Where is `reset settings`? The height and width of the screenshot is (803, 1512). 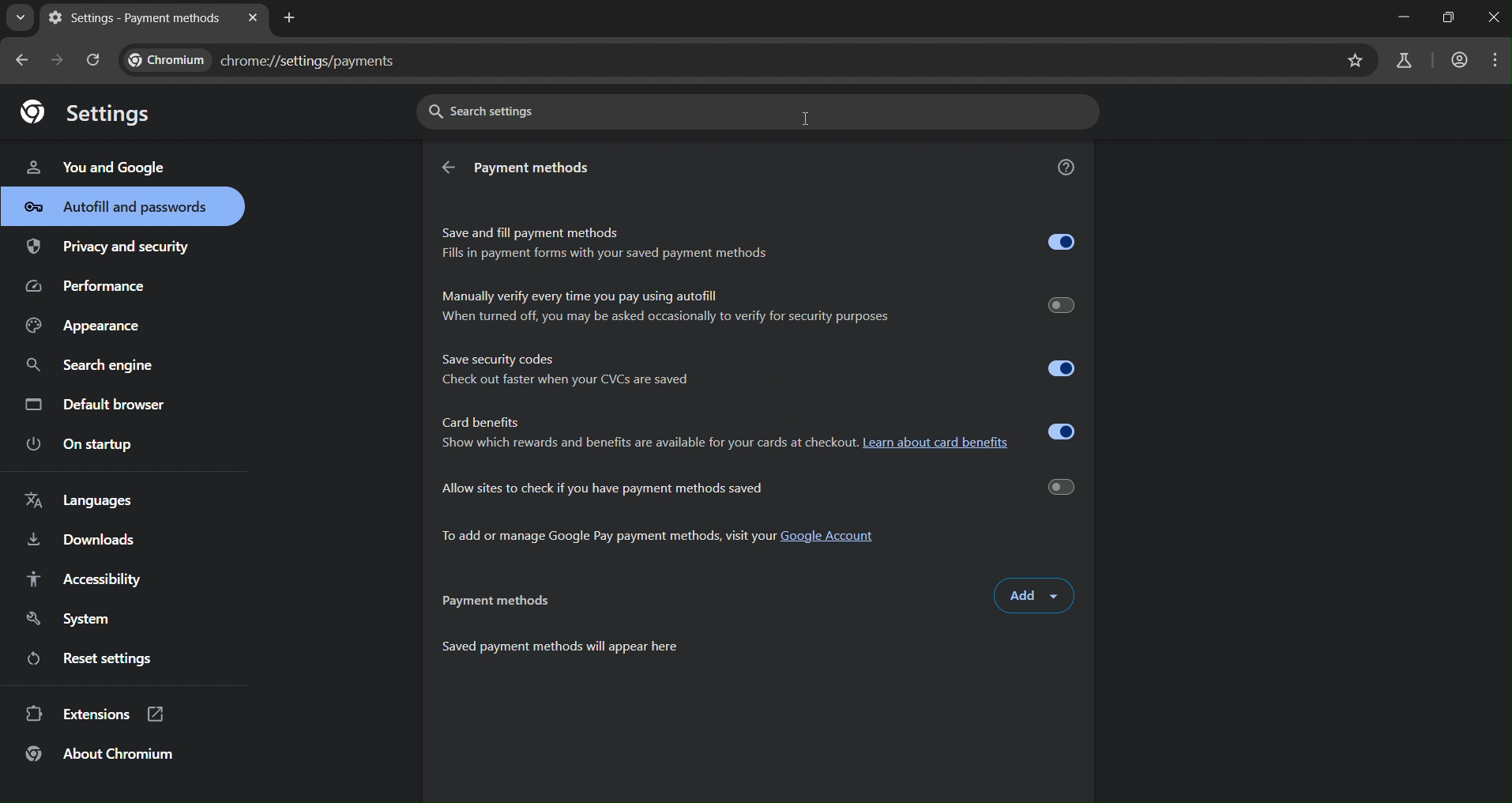 reset settings is located at coordinates (92, 658).